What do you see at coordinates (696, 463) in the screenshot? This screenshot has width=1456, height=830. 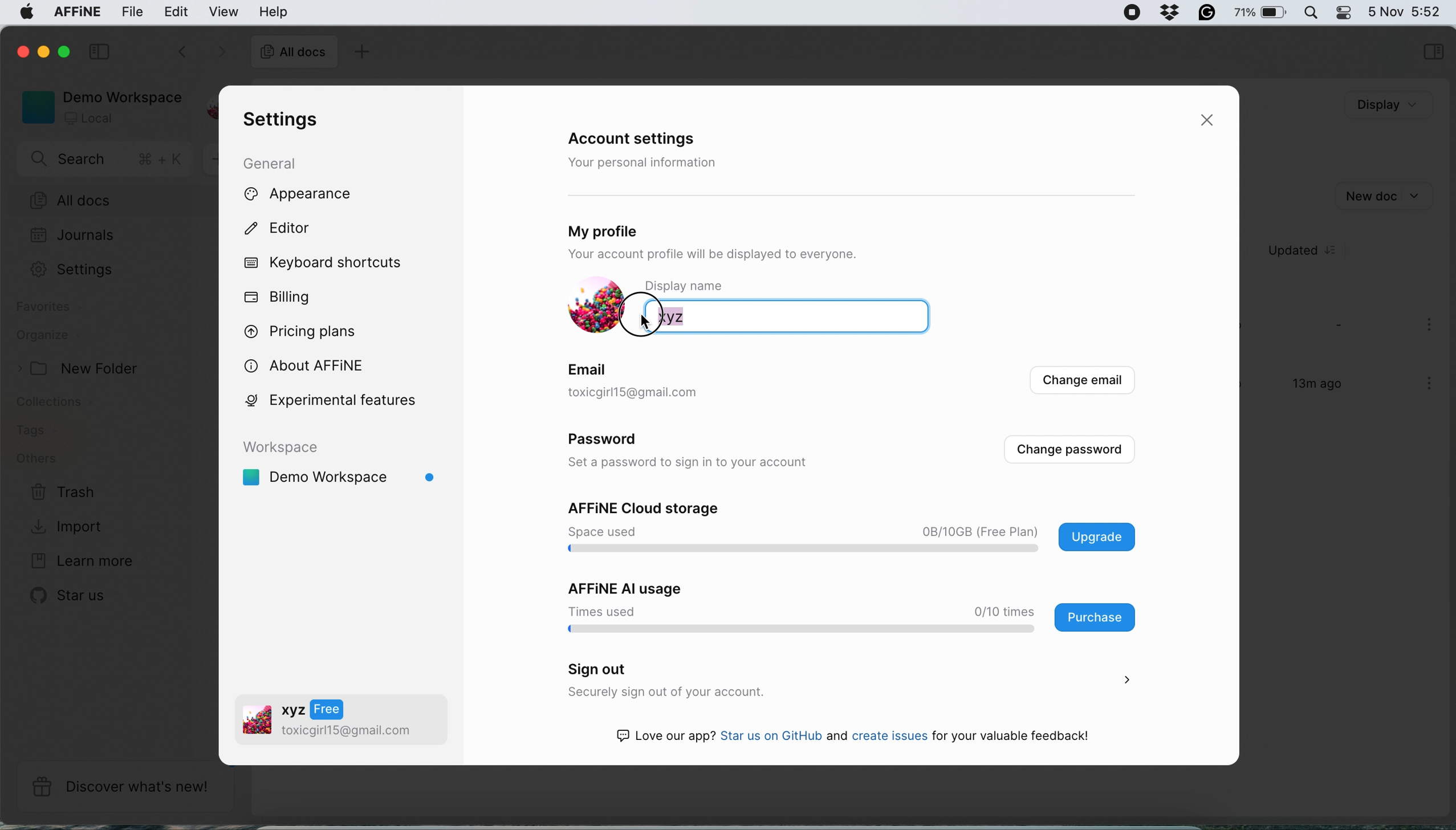 I see `set a password to sign in to your account` at bounding box center [696, 463].